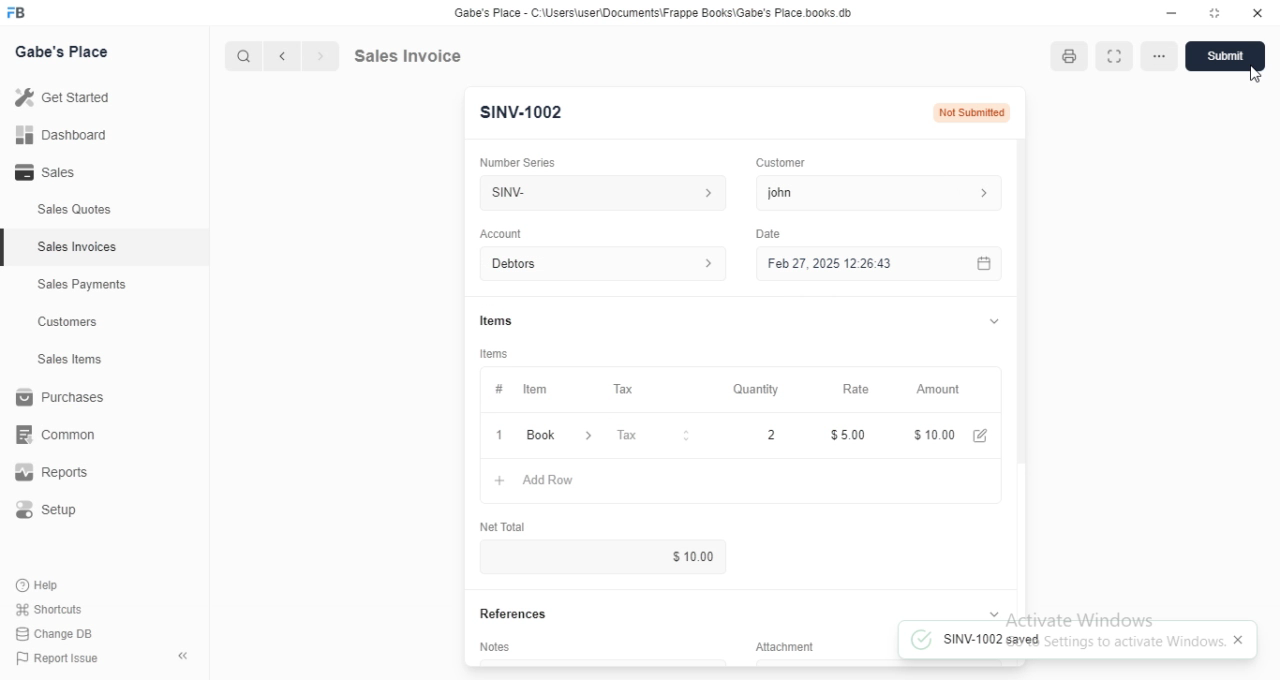  What do you see at coordinates (975, 111) in the screenshot?
I see `Not submitted` at bounding box center [975, 111].